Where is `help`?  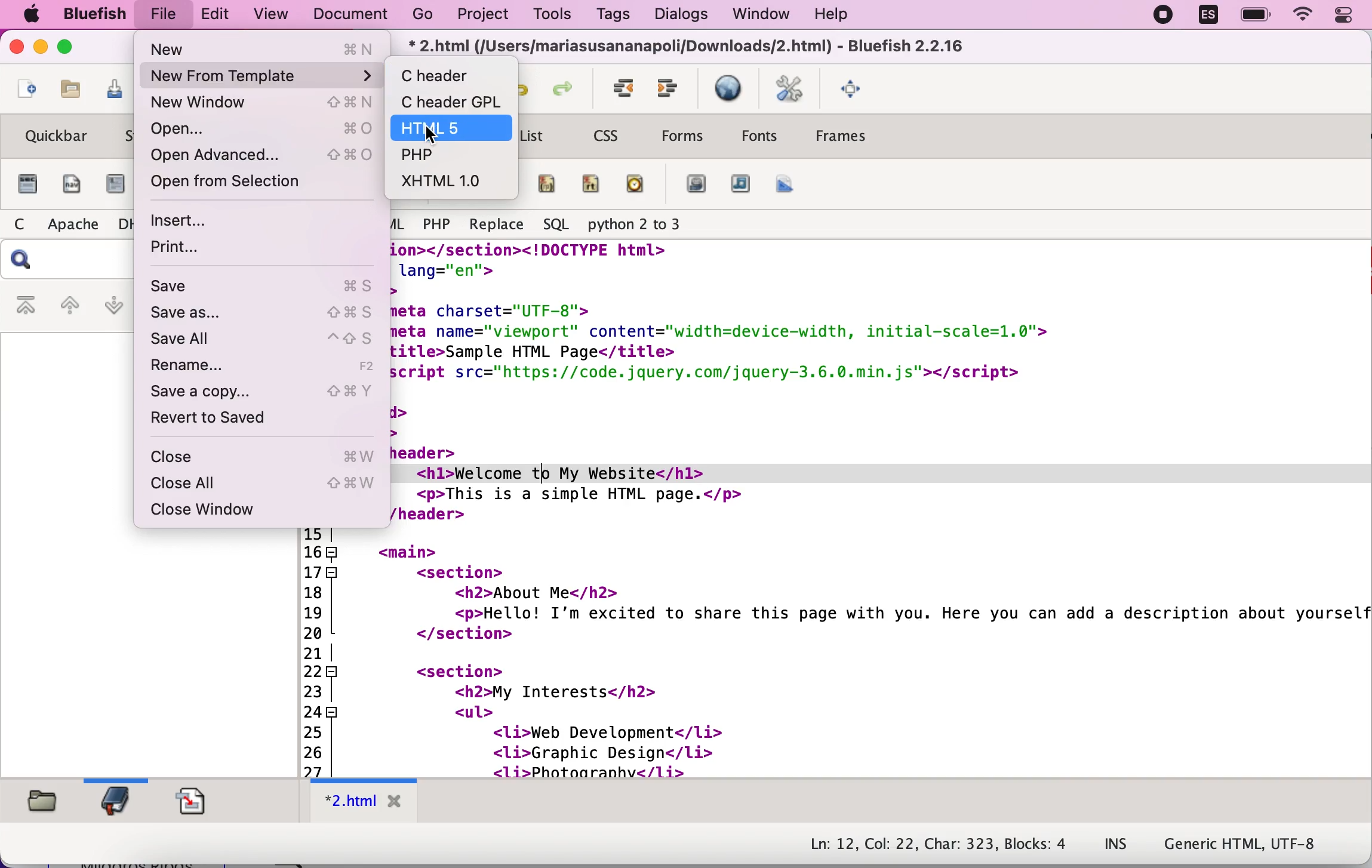
help is located at coordinates (831, 16).